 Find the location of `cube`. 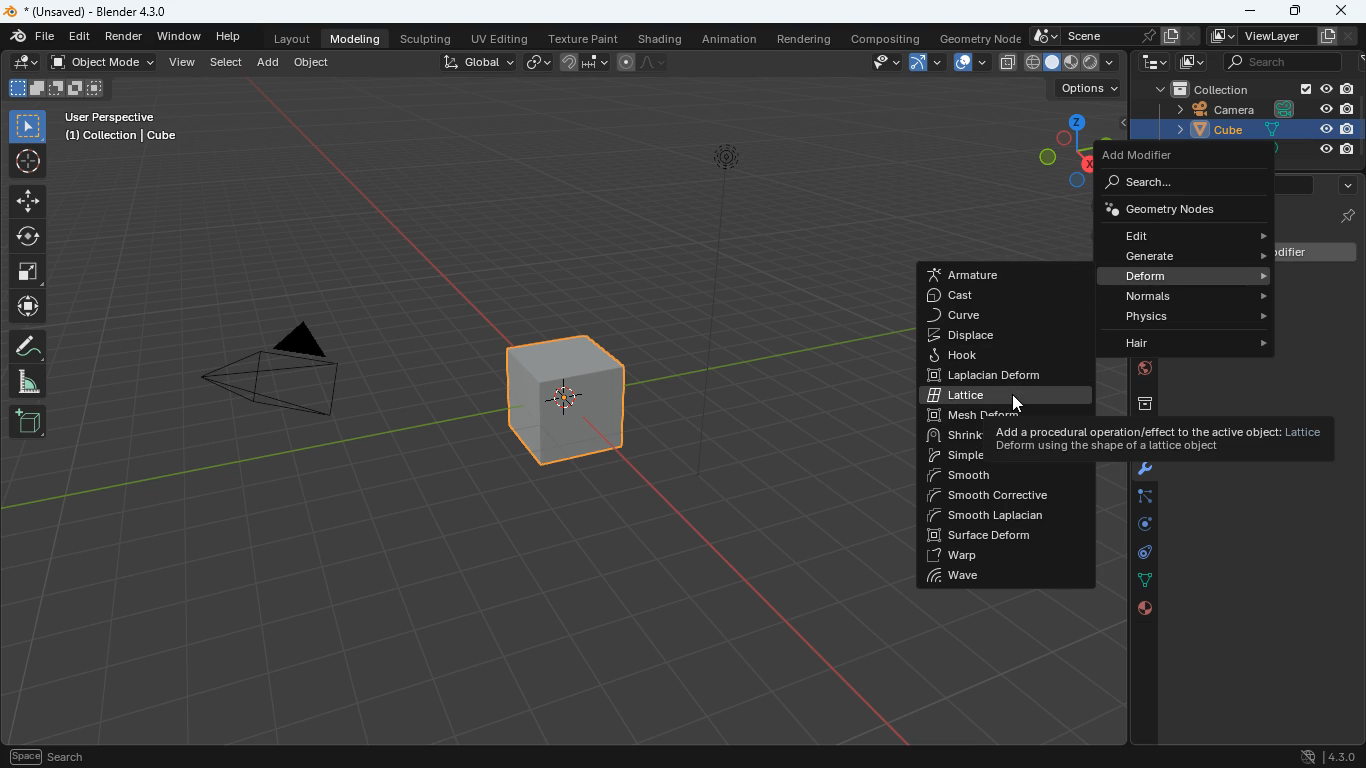

cube is located at coordinates (1259, 130).